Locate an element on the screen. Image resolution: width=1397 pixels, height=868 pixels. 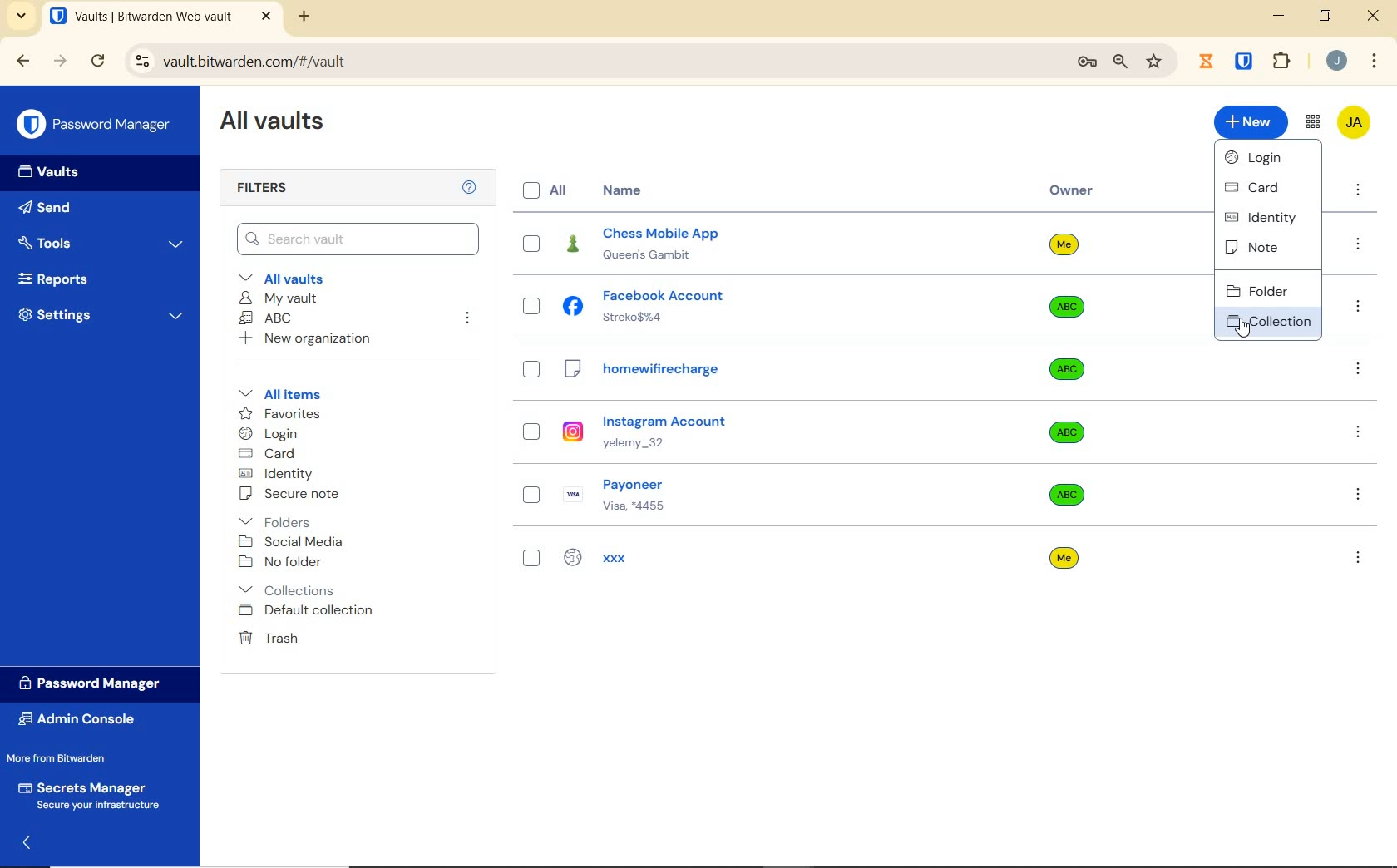
instagram account is located at coordinates (765, 432).